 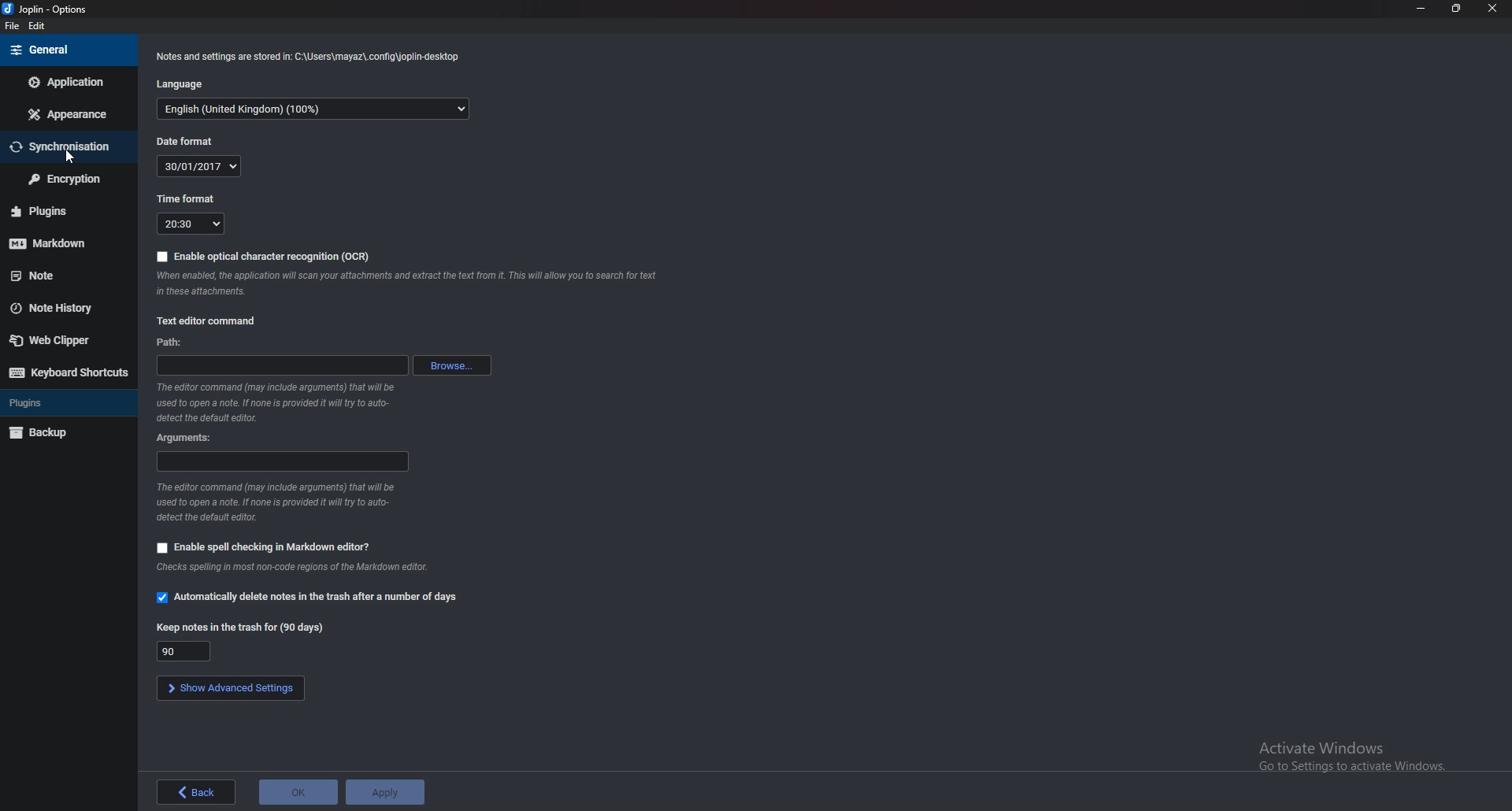 I want to click on ok, so click(x=298, y=793).